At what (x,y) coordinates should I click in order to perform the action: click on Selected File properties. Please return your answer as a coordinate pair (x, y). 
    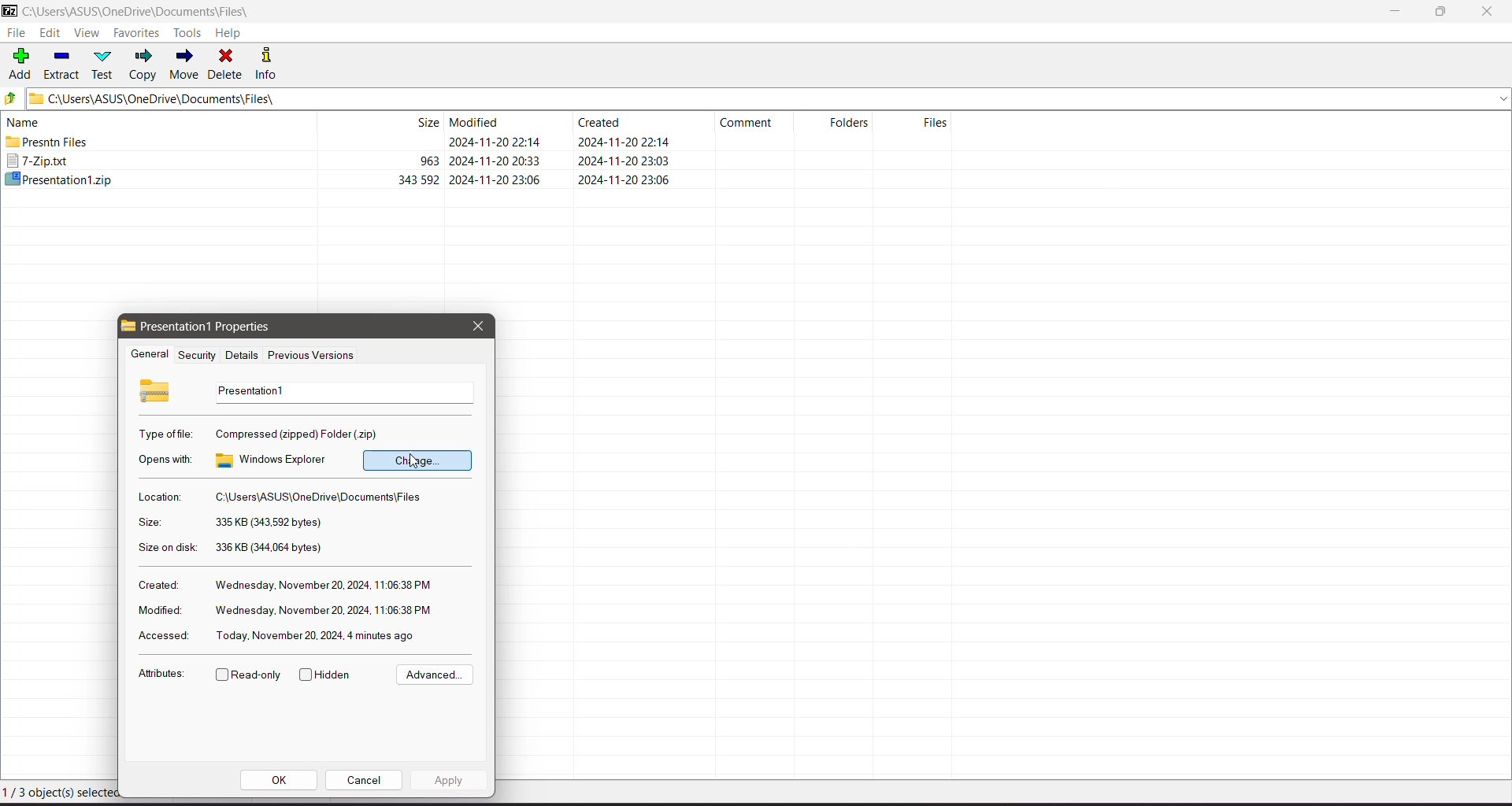
    Looking at the image, I should click on (219, 327).